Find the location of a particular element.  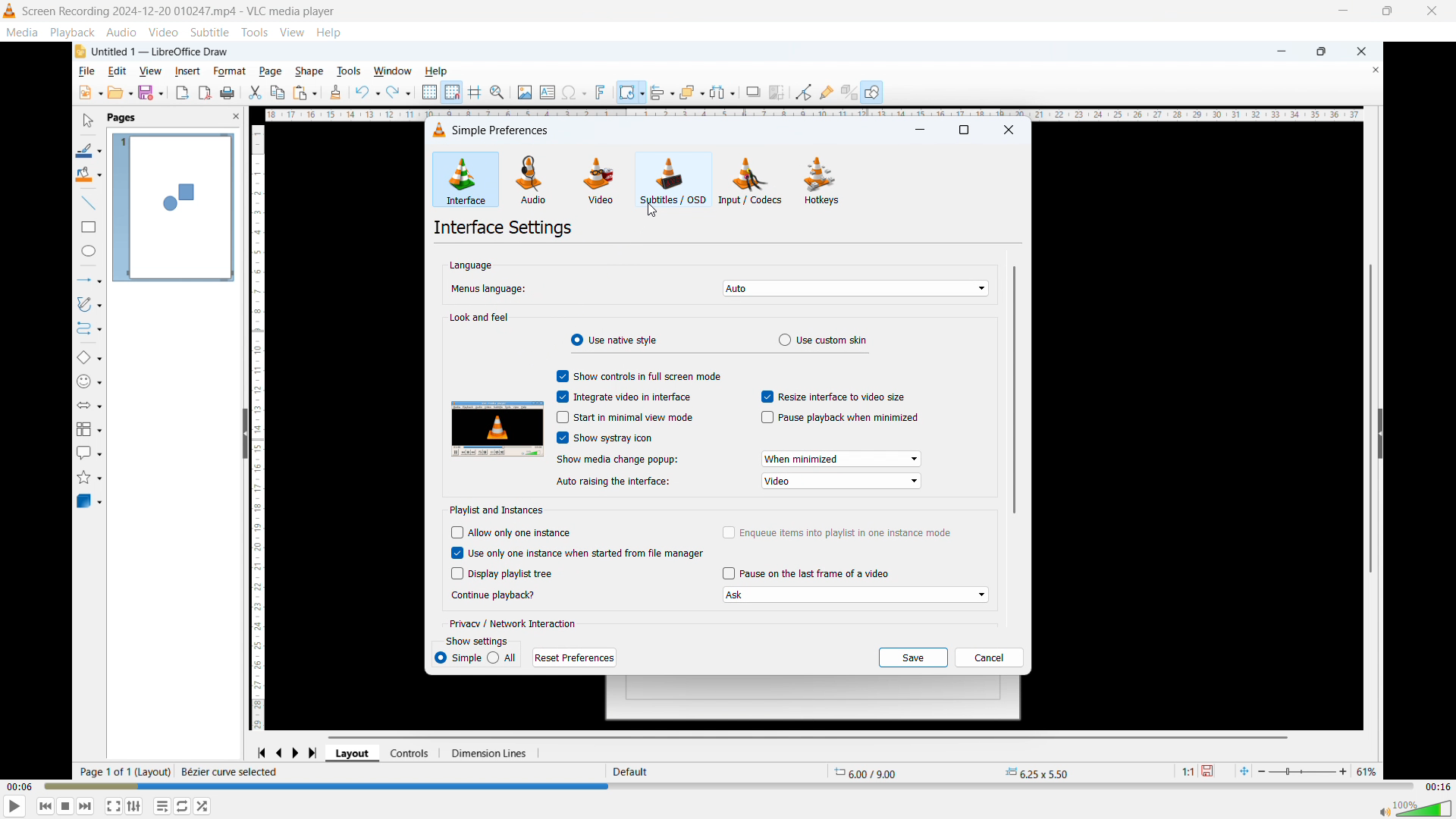

Maximise  is located at coordinates (1387, 12).